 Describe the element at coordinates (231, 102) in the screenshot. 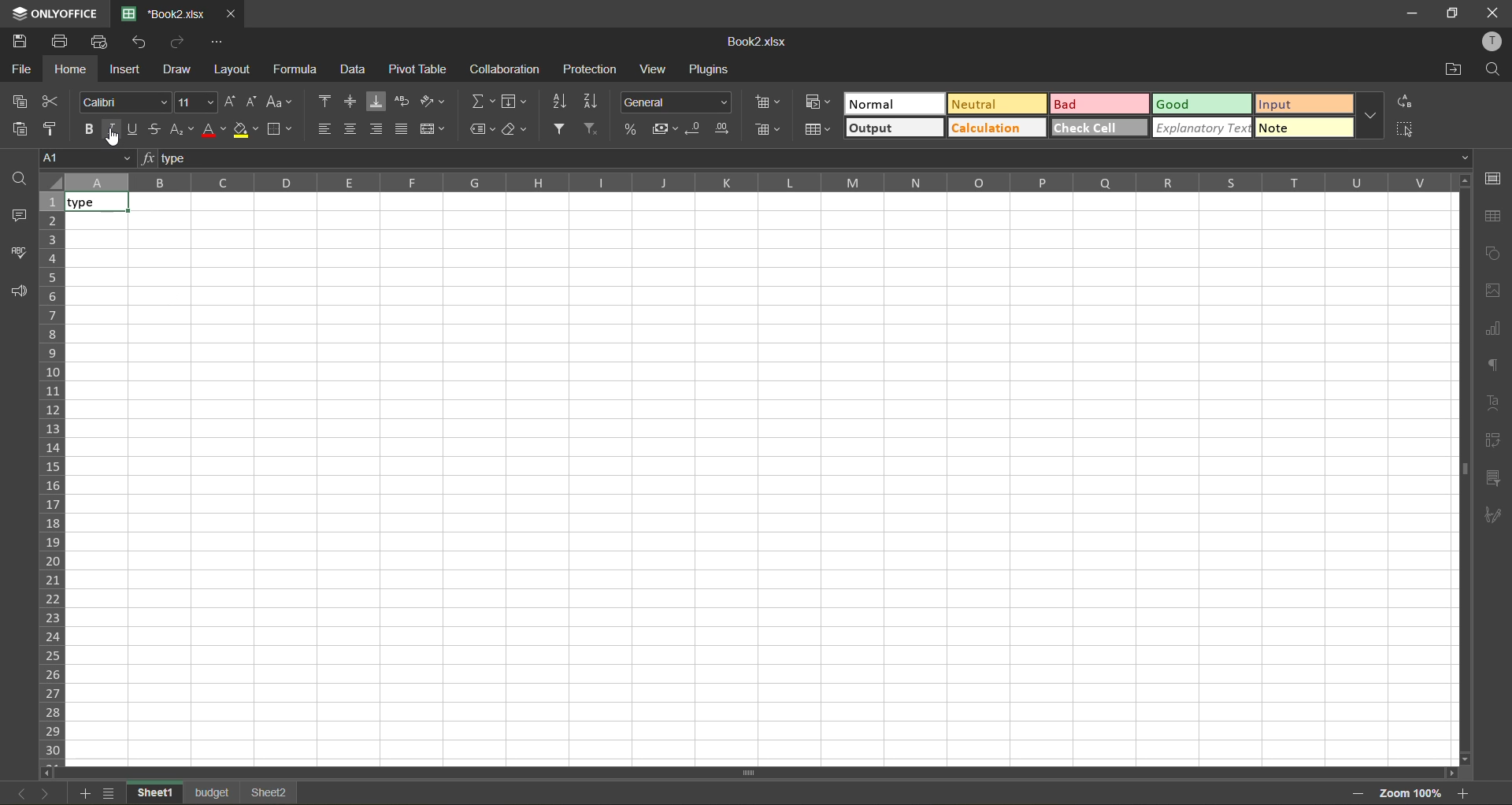

I see `increment size` at that location.